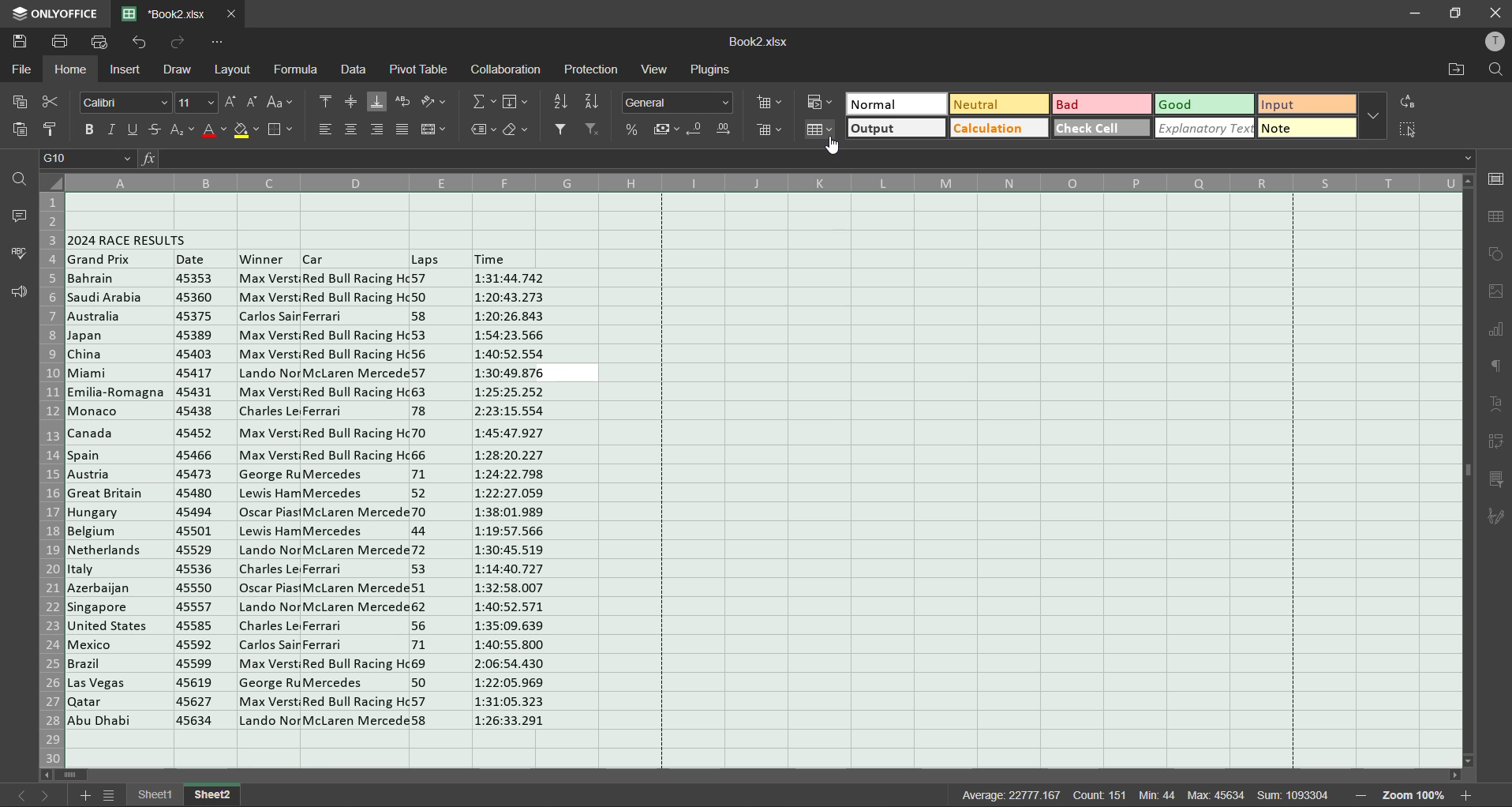  Describe the element at coordinates (184, 131) in the screenshot. I see `sub/superscript` at that location.